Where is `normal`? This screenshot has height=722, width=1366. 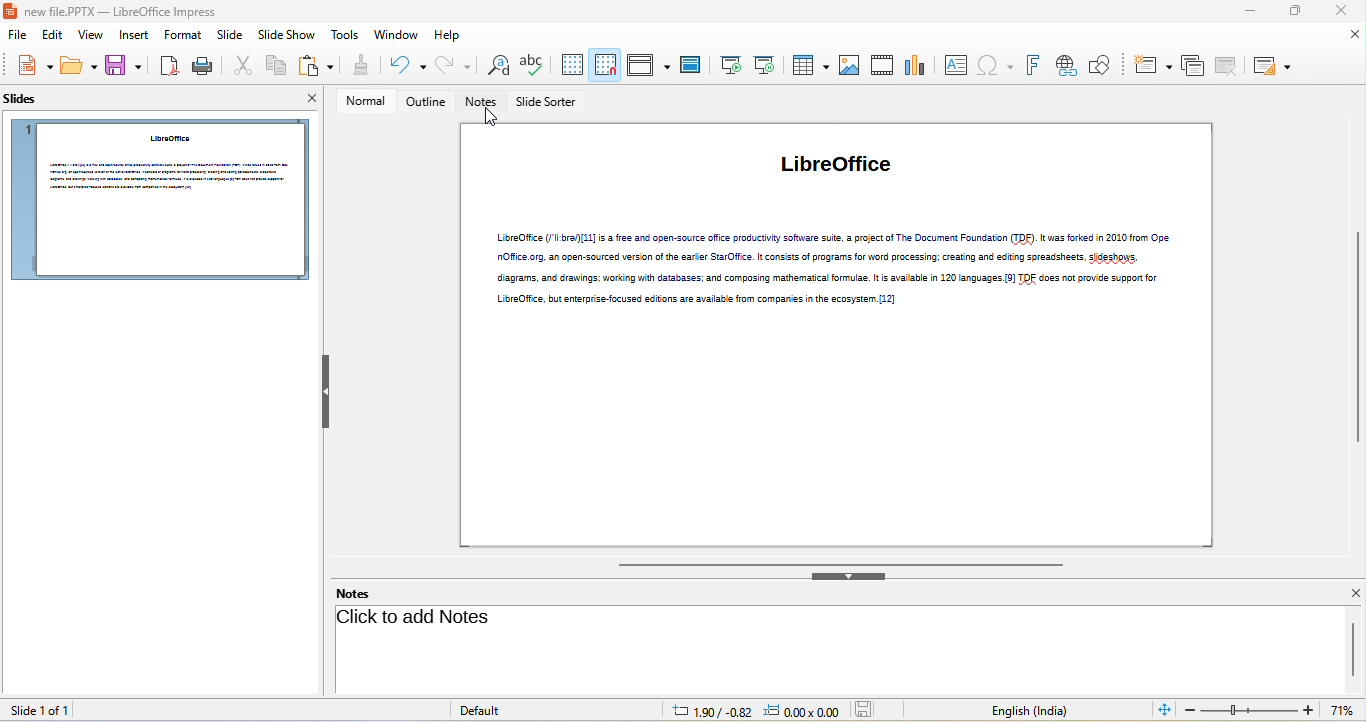 normal is located at coordinates (361, 102).